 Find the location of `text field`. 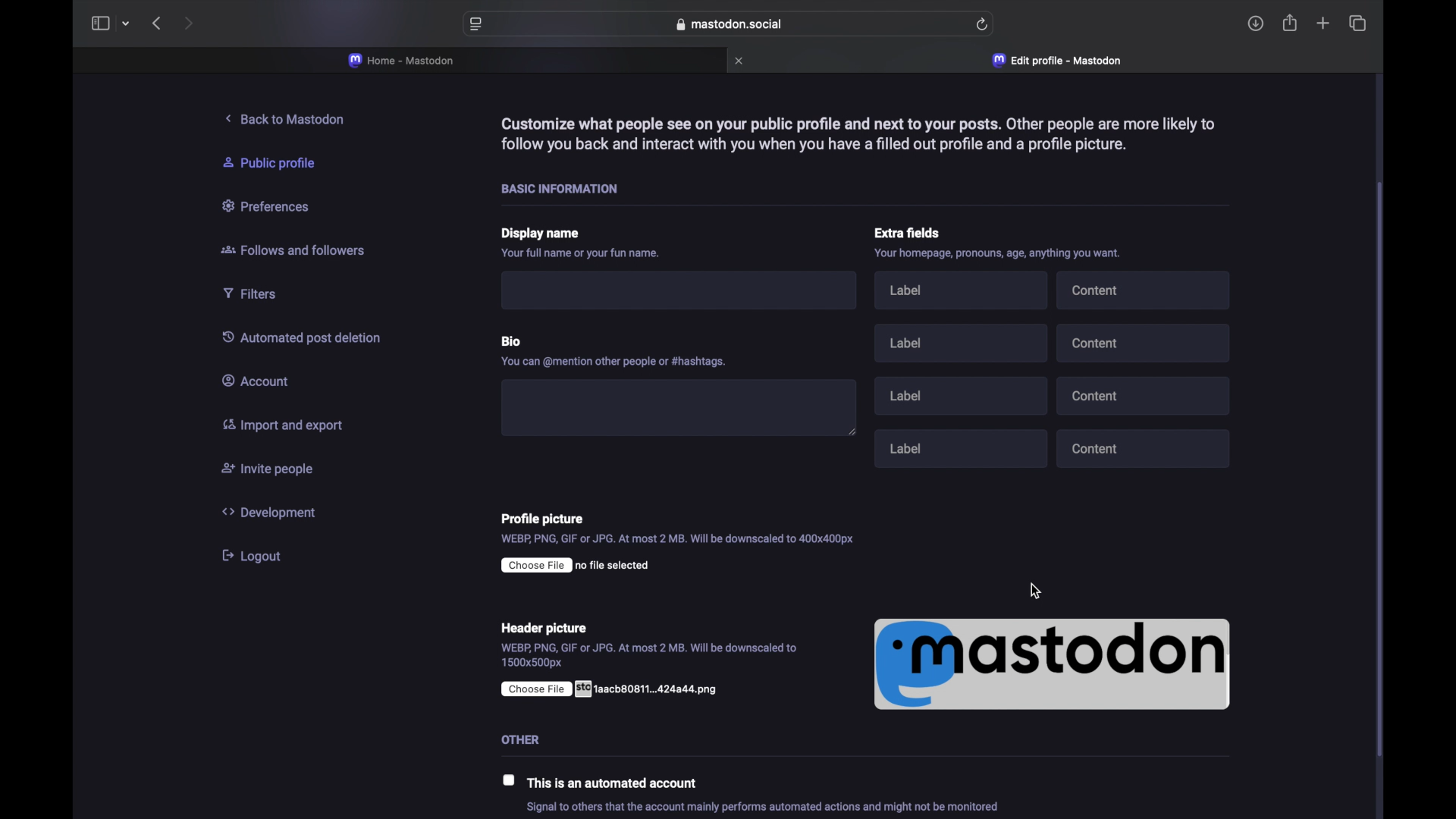

text field is located at coordinates (686, 292).